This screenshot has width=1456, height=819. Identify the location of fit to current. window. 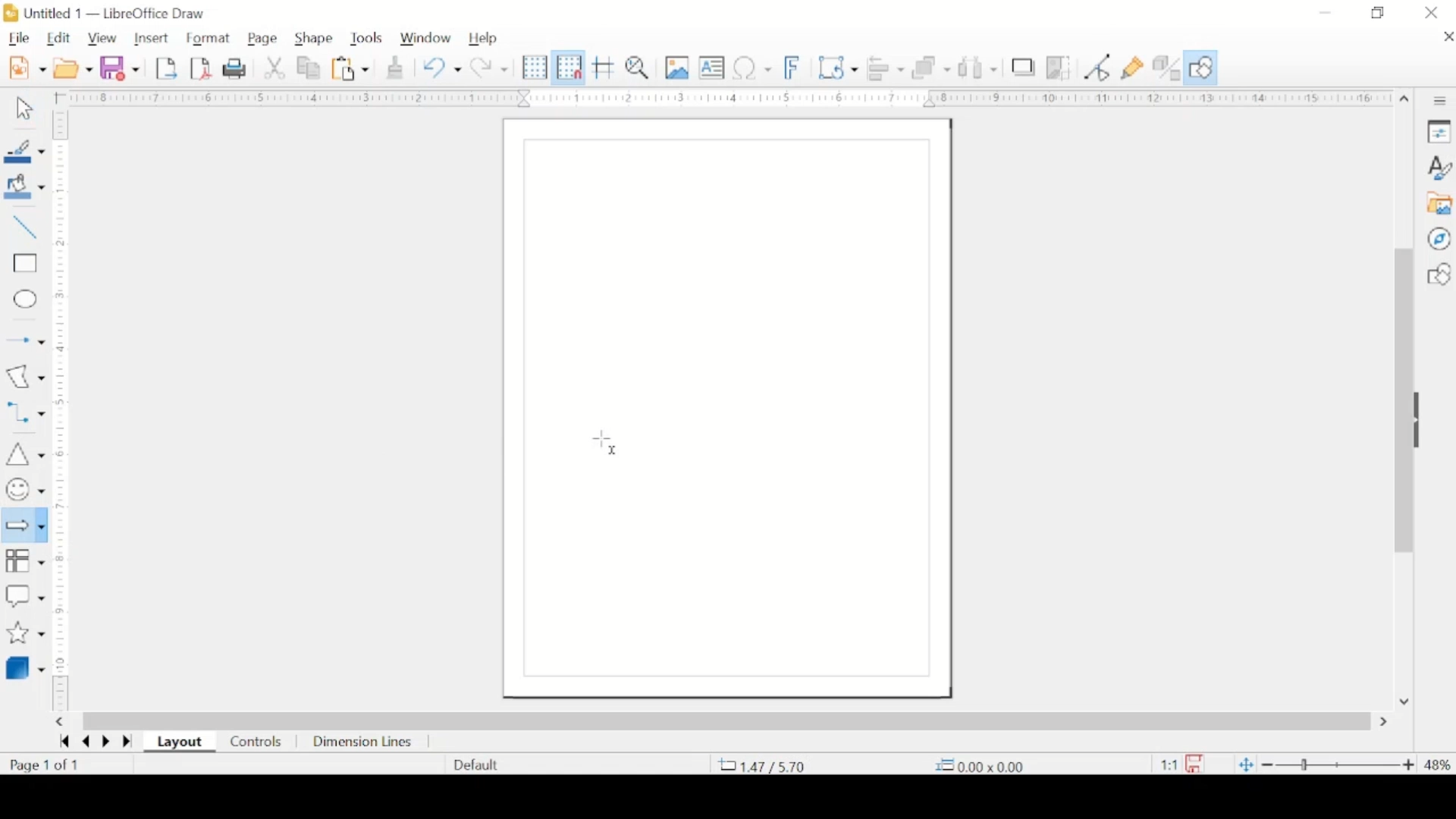
(1244, 764).